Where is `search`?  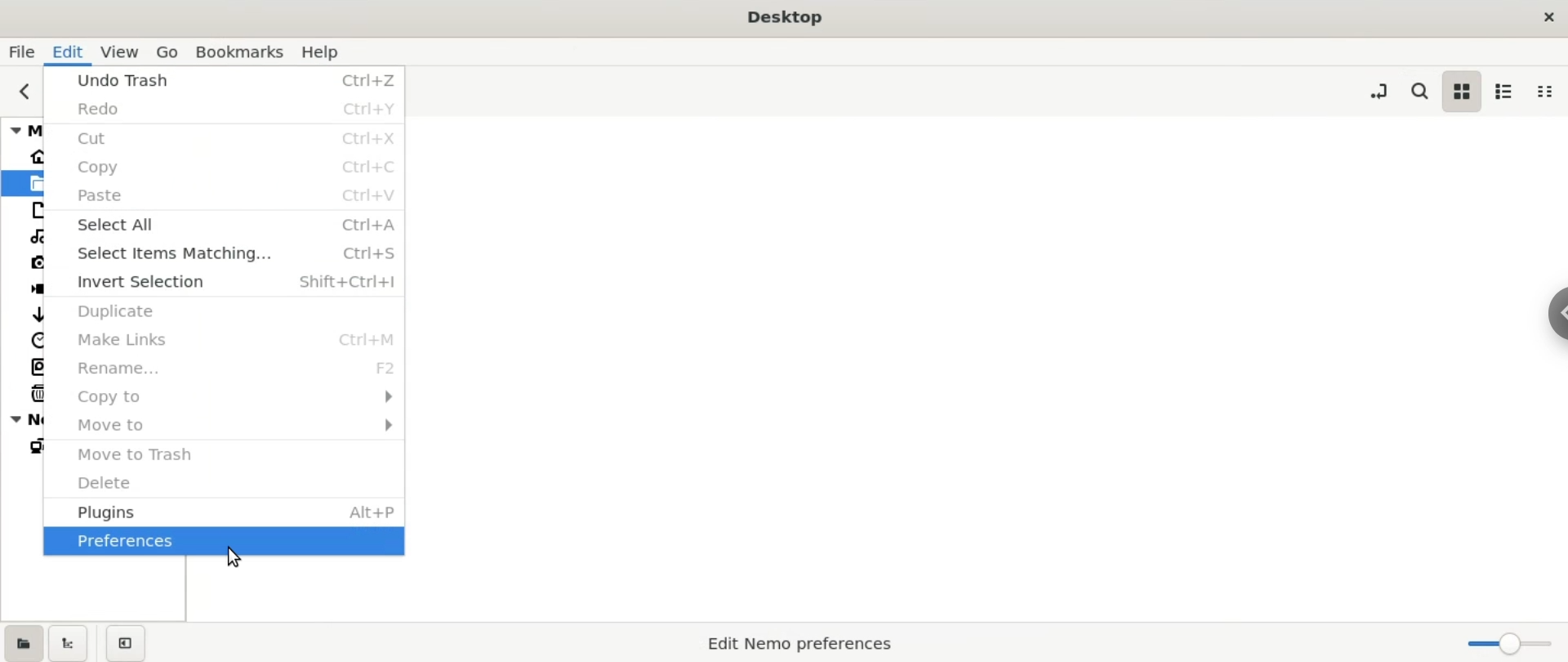 search is located at coordinates (1419, 92).